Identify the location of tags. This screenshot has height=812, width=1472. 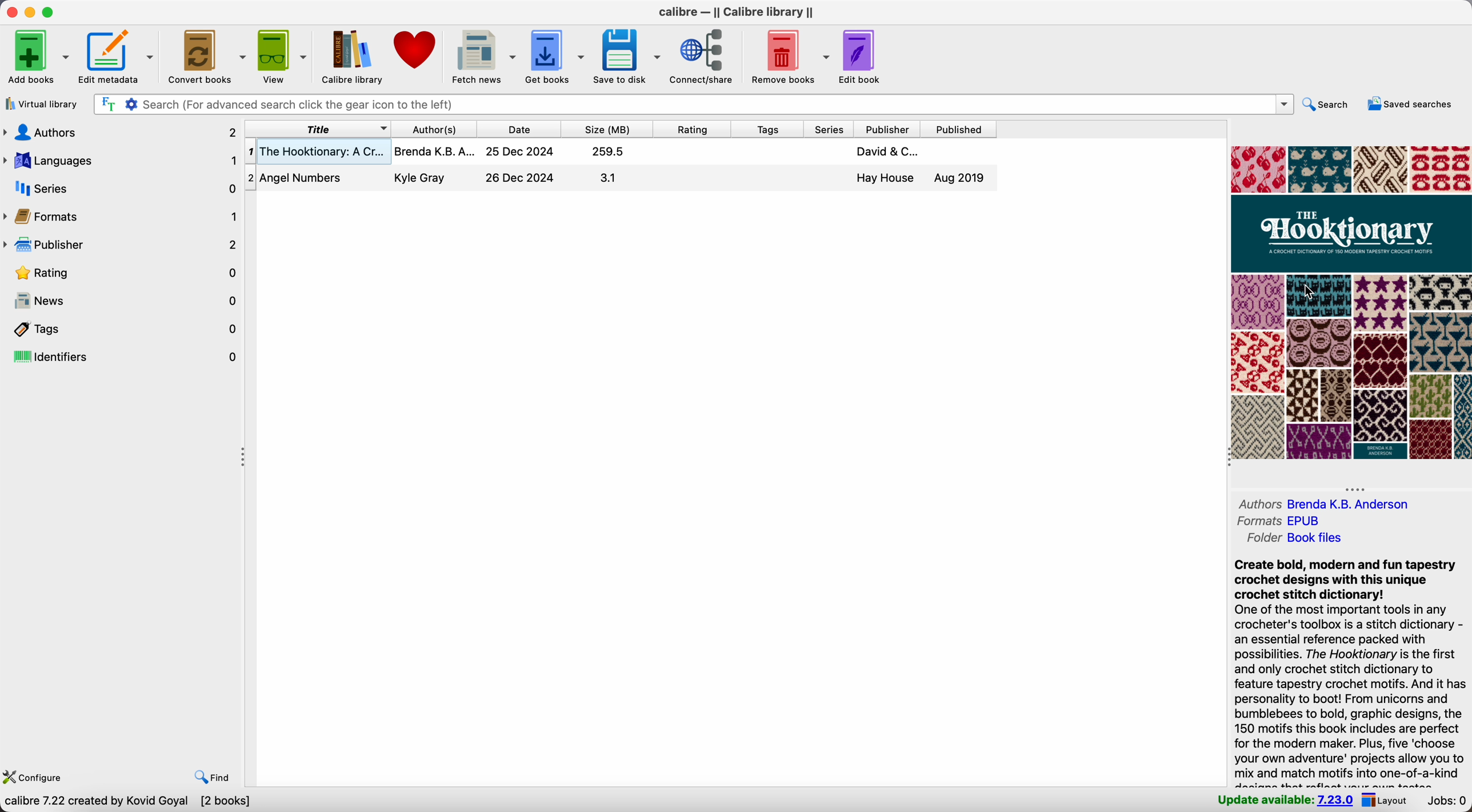
(769, 129).